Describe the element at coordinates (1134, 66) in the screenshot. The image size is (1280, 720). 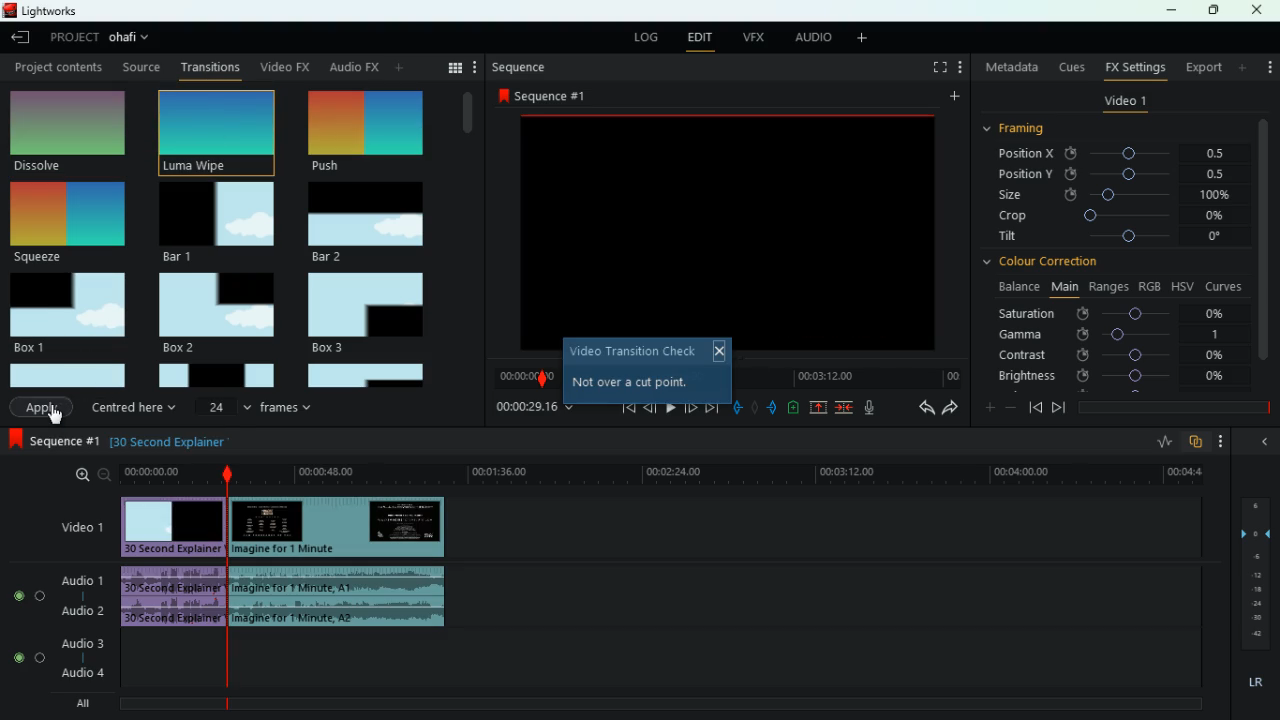
I see `fx settings` at that location.